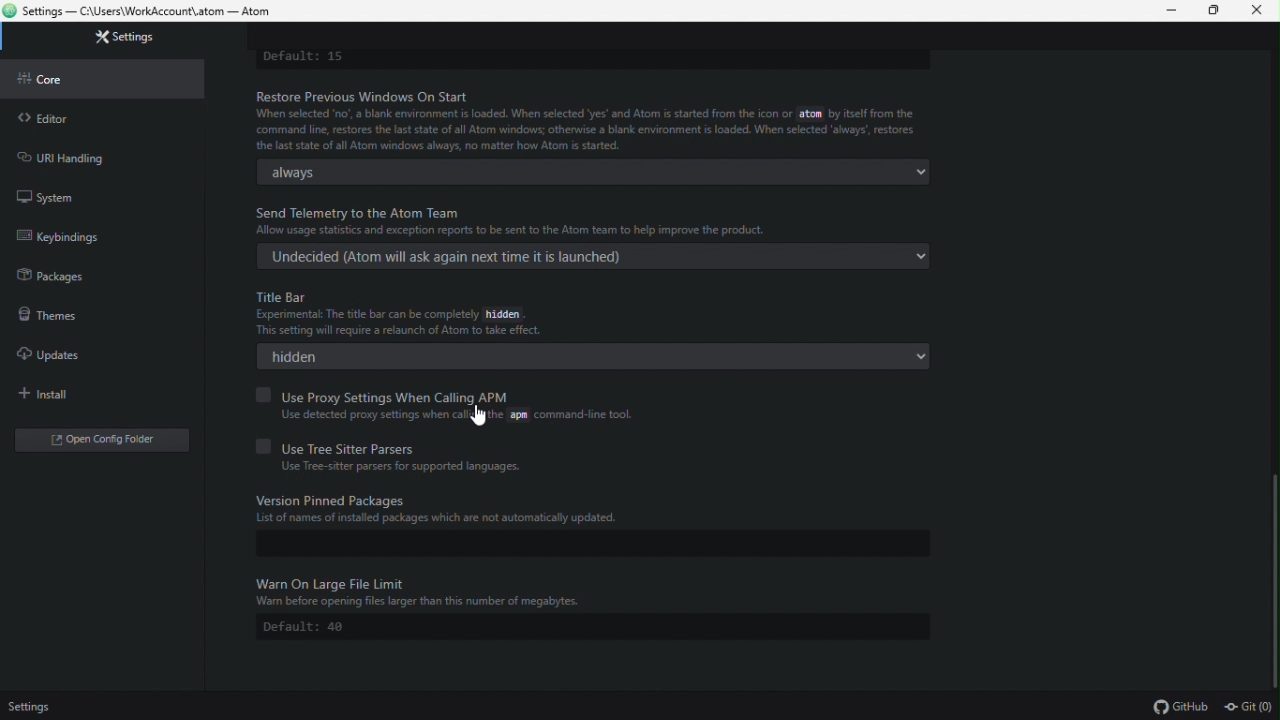 This screenshot has width=1280, height=720. Describe the element at coordinates (404, 467) in the screenshot. I see `Use Tree-sitter parsers for supported languages.` at that location.